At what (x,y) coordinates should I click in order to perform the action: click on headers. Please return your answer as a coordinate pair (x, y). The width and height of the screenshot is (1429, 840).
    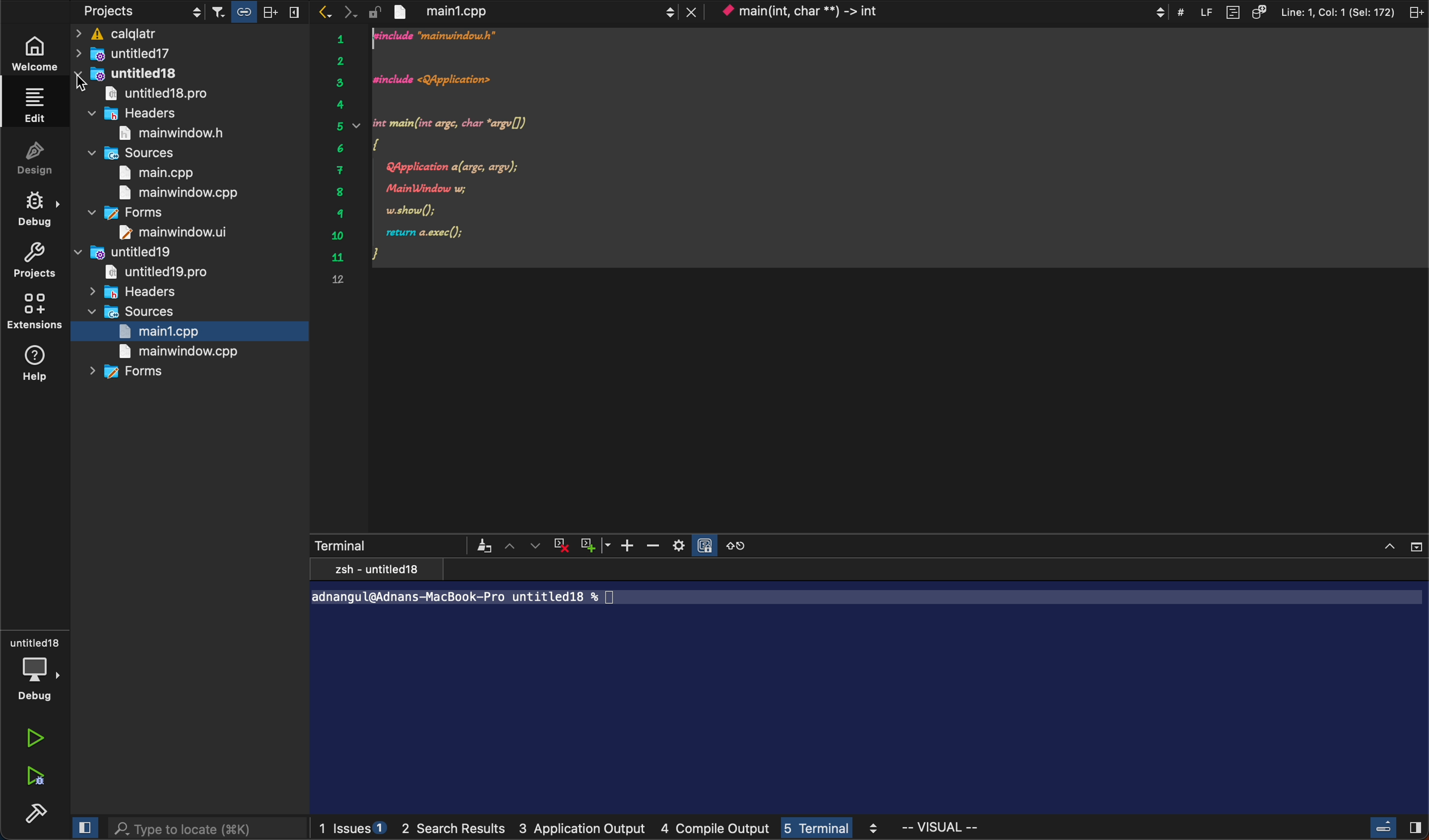
    Looking at the image, I should click on (149, 290).